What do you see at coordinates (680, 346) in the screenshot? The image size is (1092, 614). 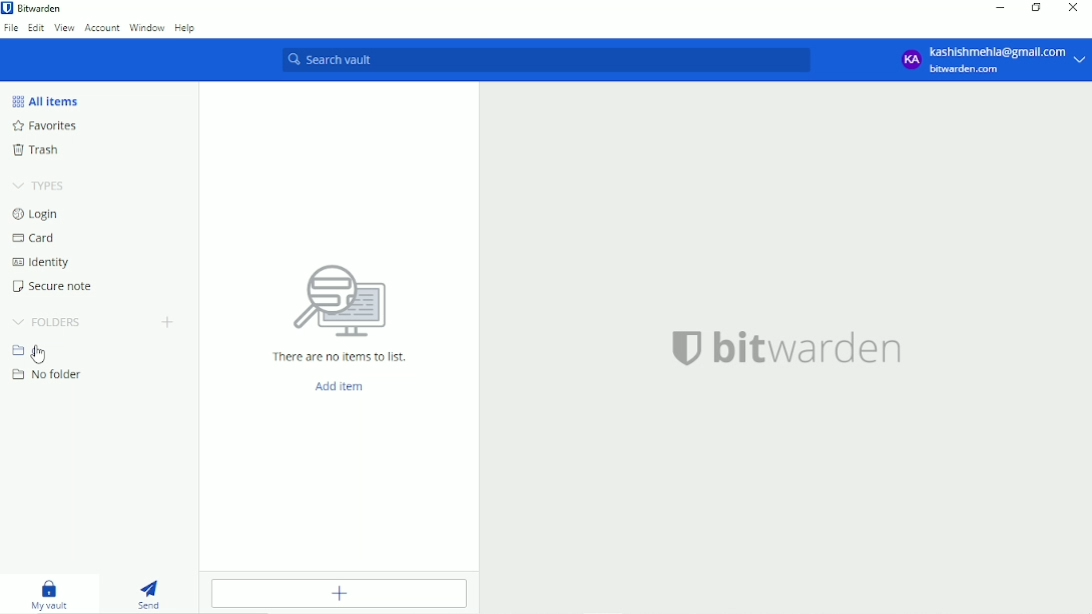 I see `bitwarden logo` at bounding box center [680, 346].